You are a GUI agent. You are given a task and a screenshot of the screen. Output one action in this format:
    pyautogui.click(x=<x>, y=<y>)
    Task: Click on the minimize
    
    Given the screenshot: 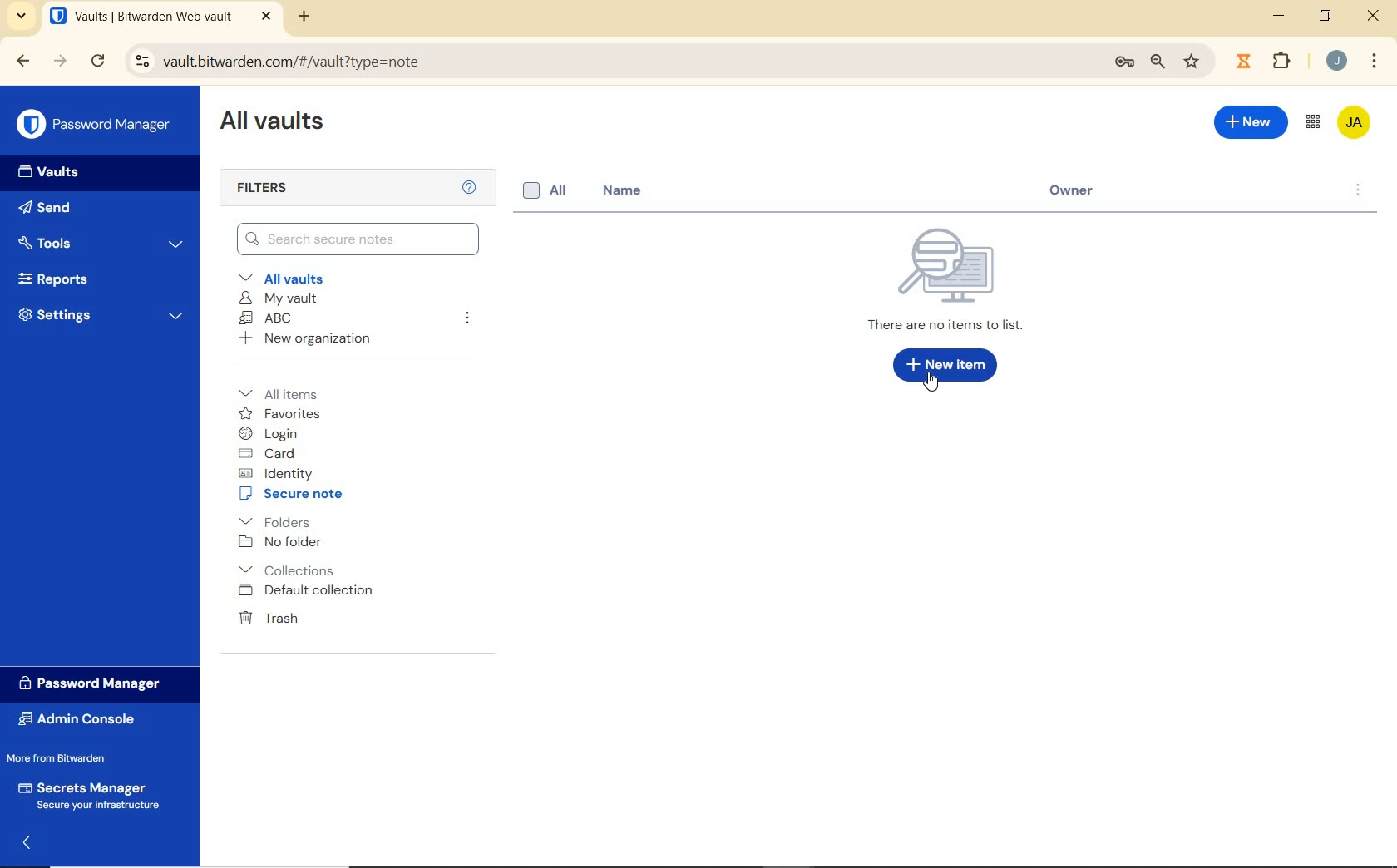 What is the action you would take?
    pyautogui.click(x=1279, y=15)
    